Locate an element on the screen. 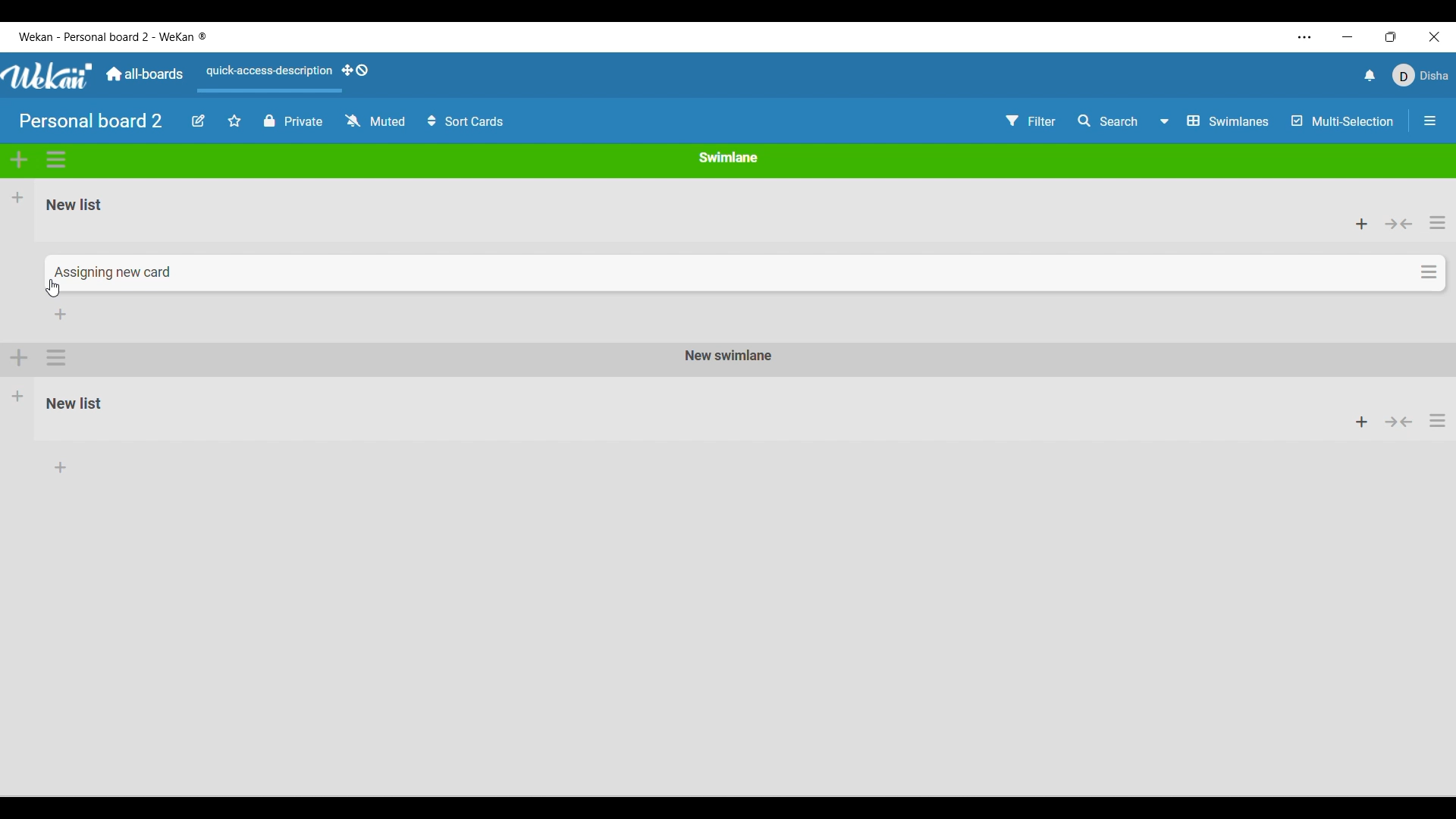 The height and width of the screenshot is (819, 1456). cursor is located at coordinates (52, 292).